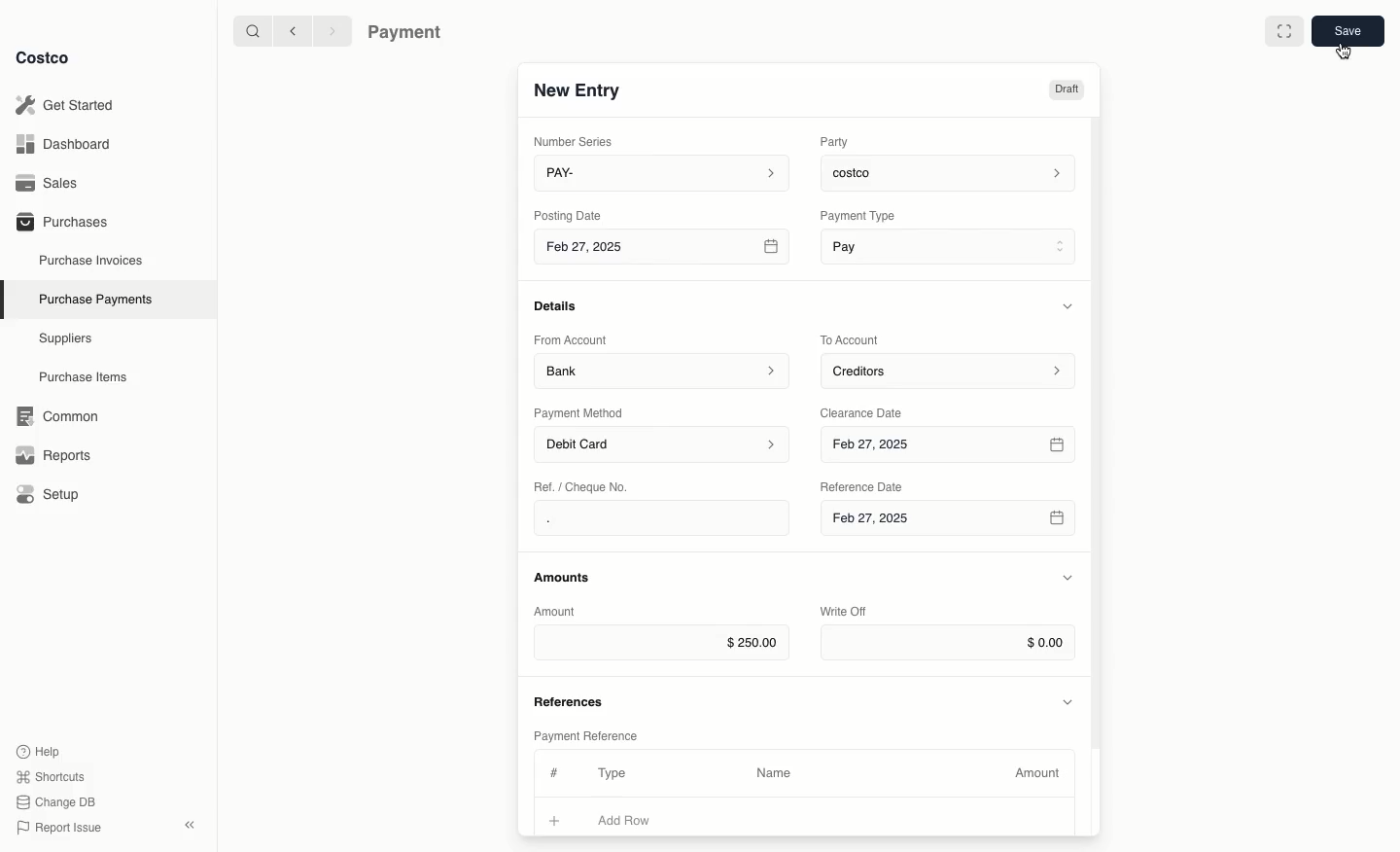 This screenshot has width=1400, height=852. What do you see at coordinates (252, 29) in the screenshot?
I see `Search` at bounding box center [252, 29].